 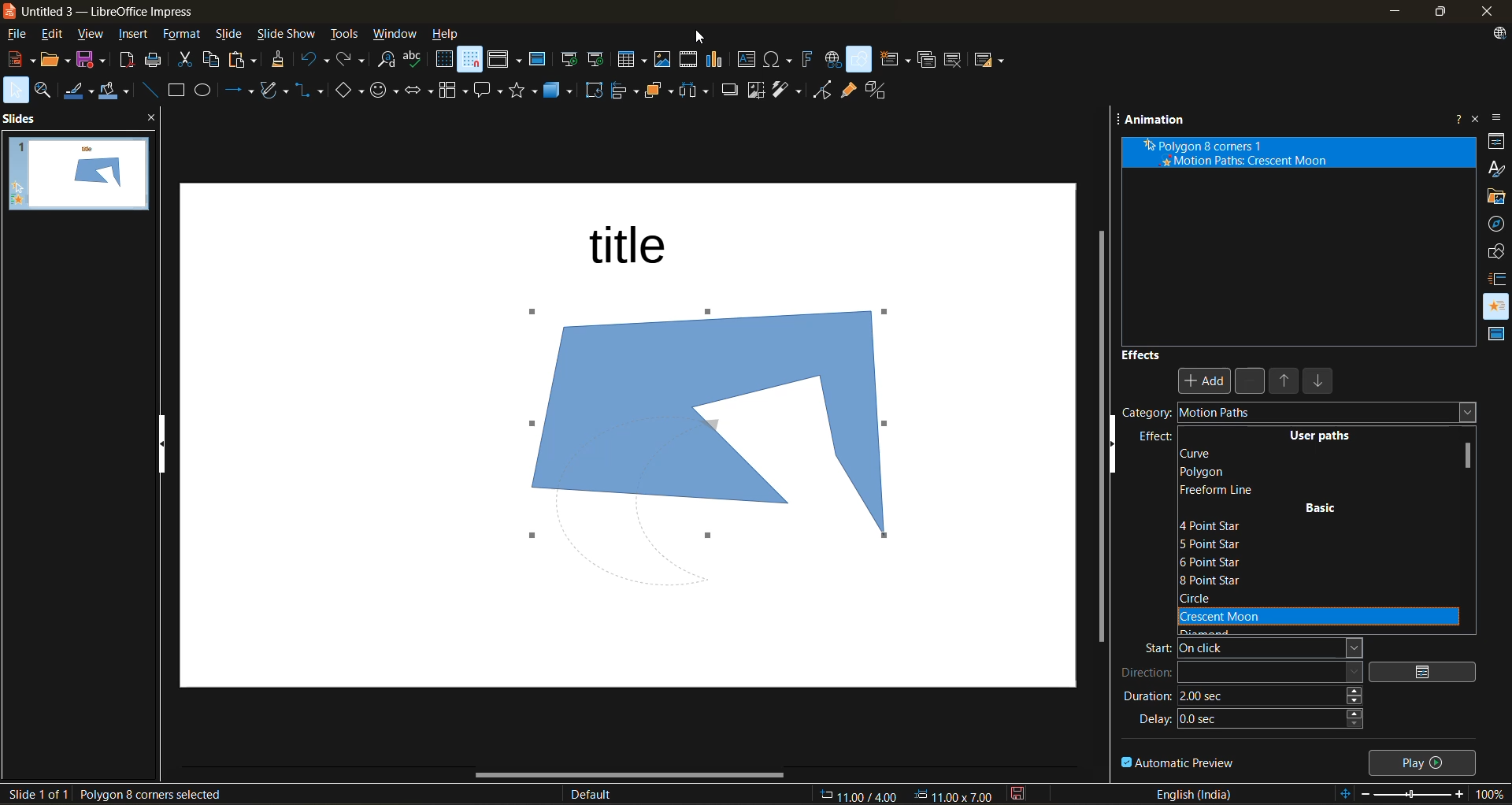 What do you see at coordinates (1499, 224) in the screenshot?
I see `navigator` at bounding box center [1499, 224].